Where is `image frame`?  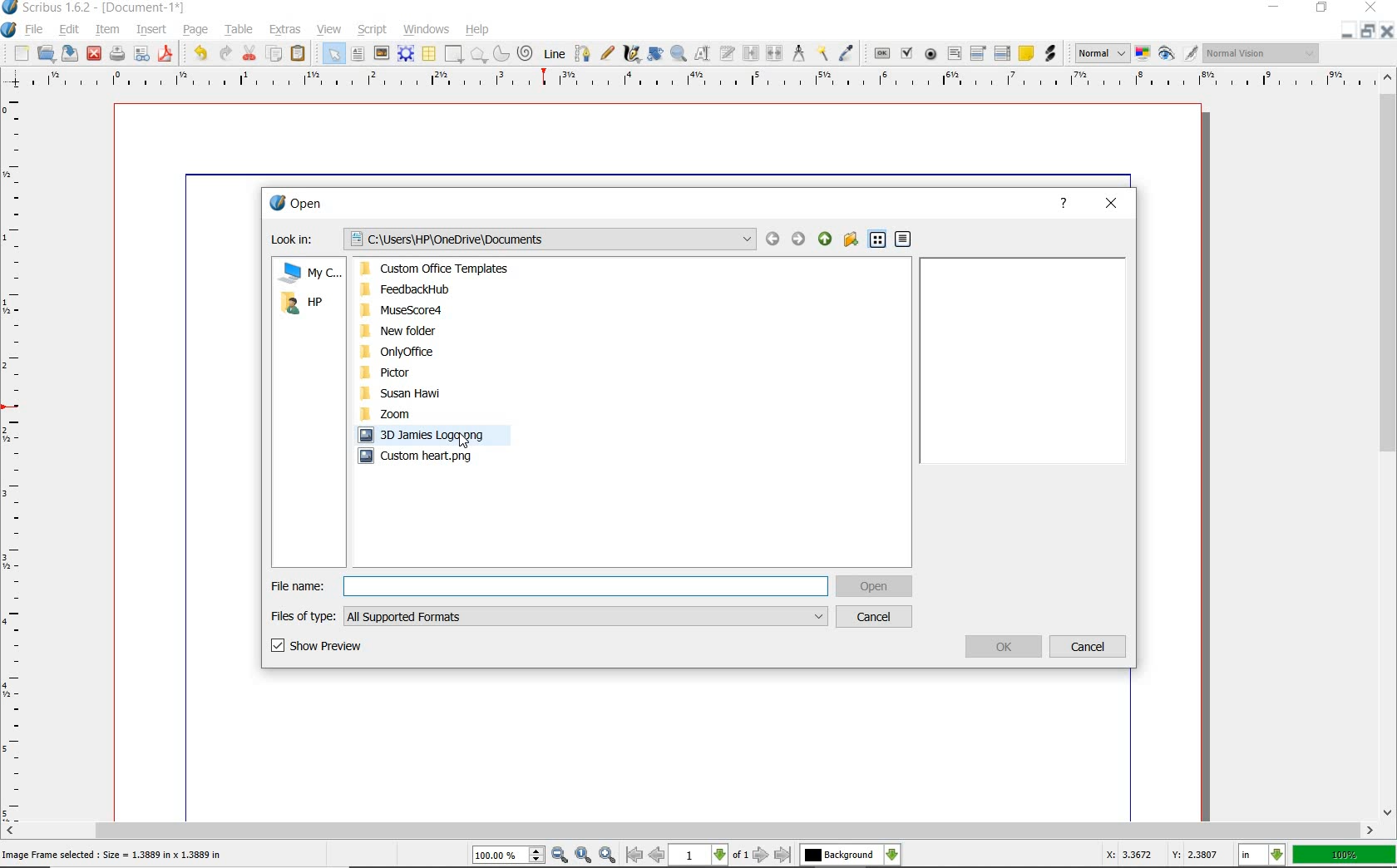
image frame is located at coordinates (381, 54).